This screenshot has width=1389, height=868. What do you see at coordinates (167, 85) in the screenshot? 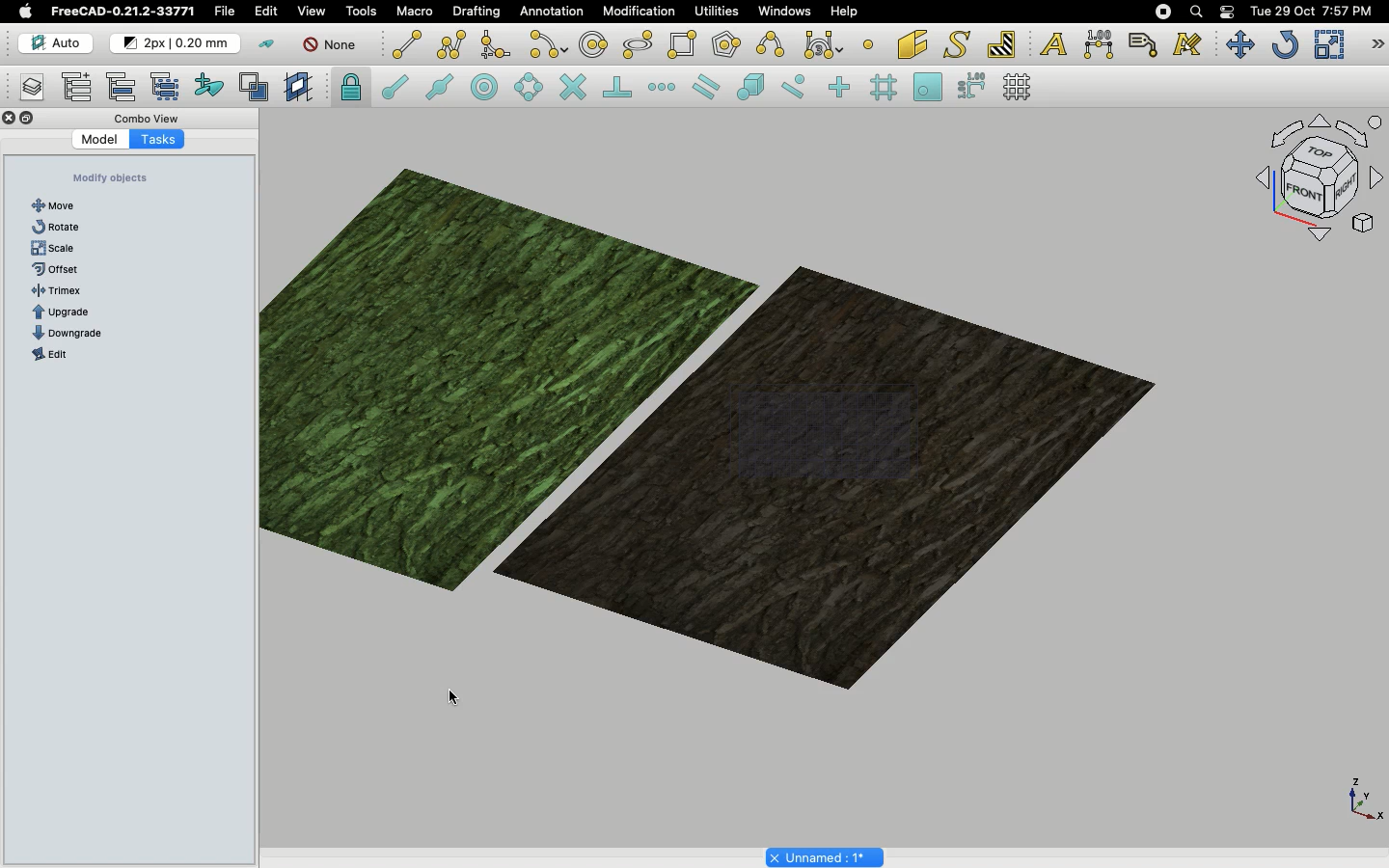
I see `Select group` at bounding box center [167, 85].